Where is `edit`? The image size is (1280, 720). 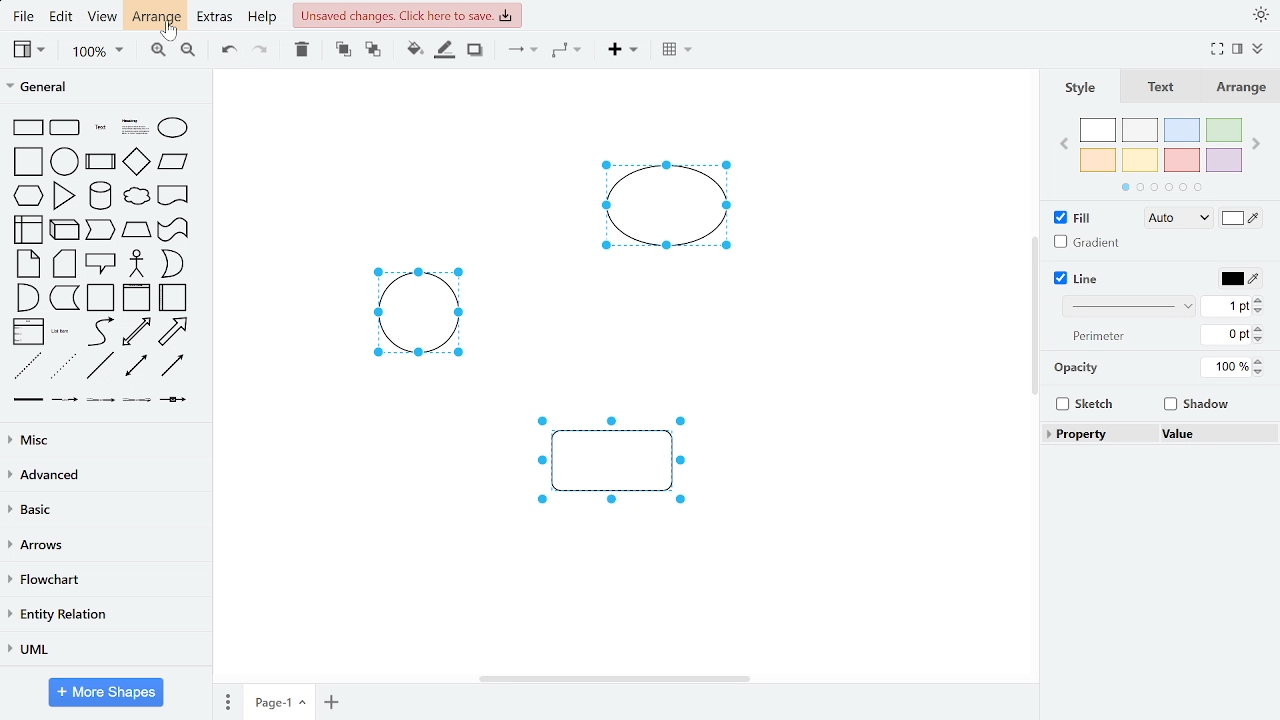
edit is located at coordinates (64, 18).